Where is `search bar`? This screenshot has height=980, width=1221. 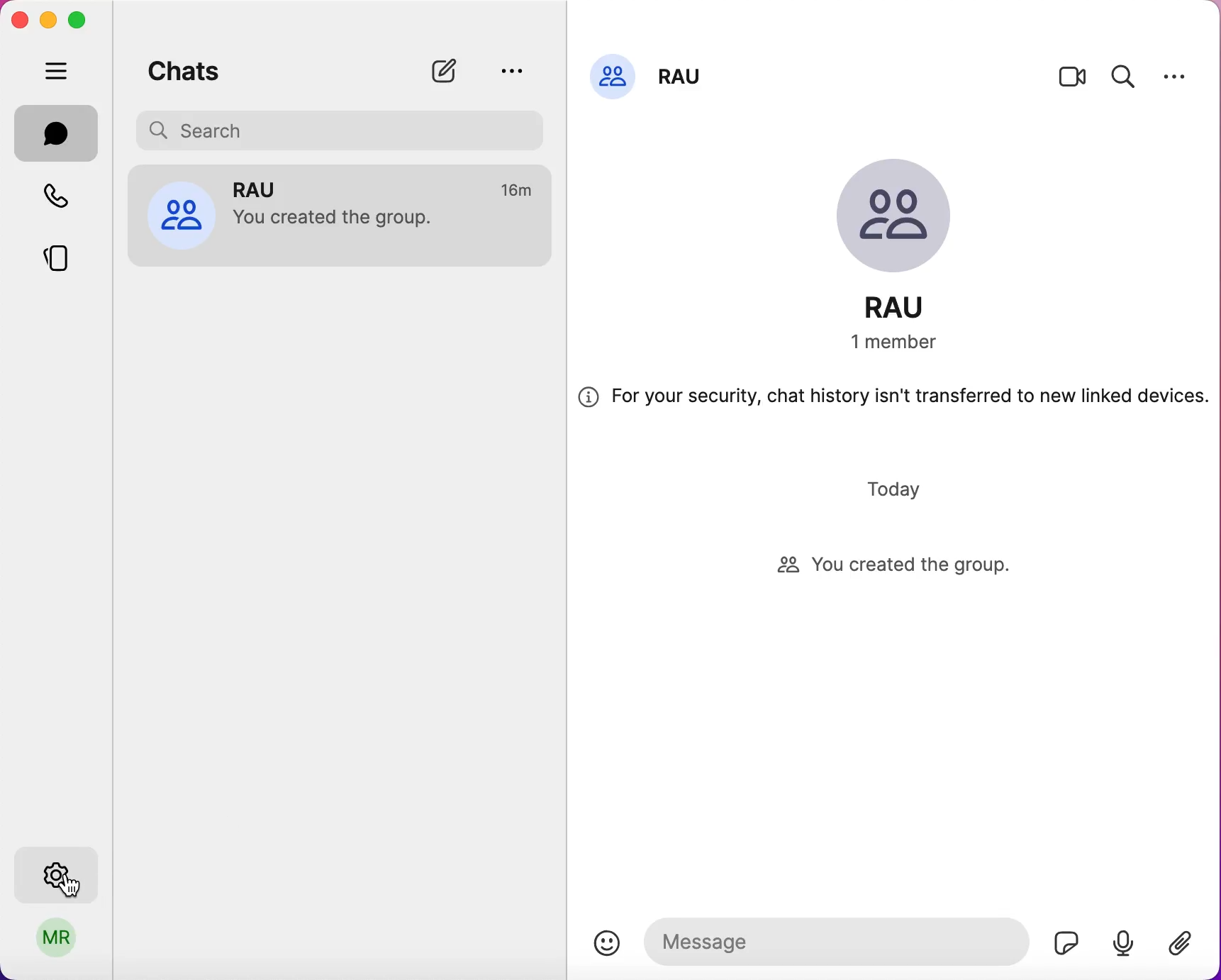 search bar is located at coordinates (345, 128).